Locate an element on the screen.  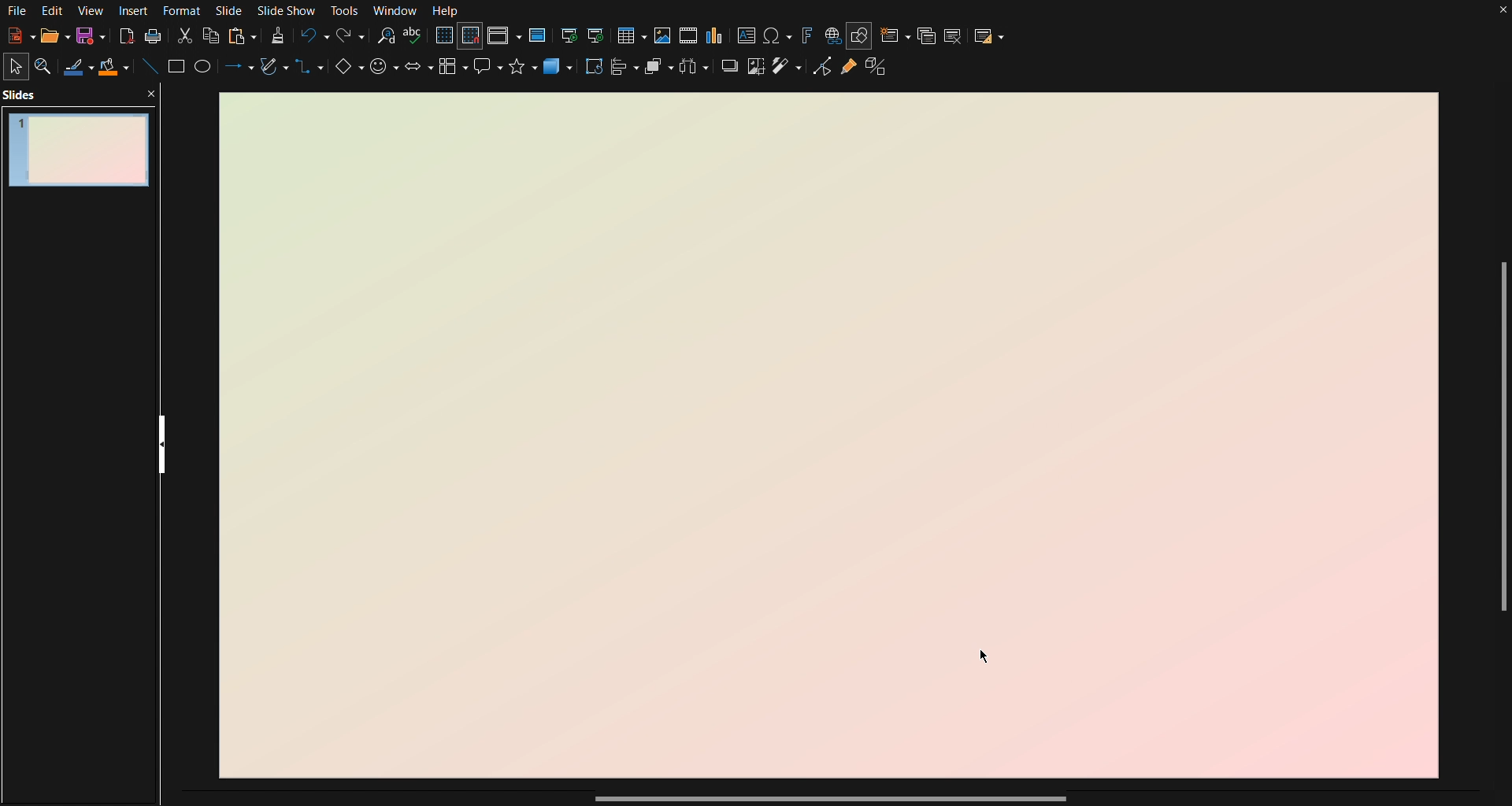
Gluepoint Functions is located at coordinates (848, 72).